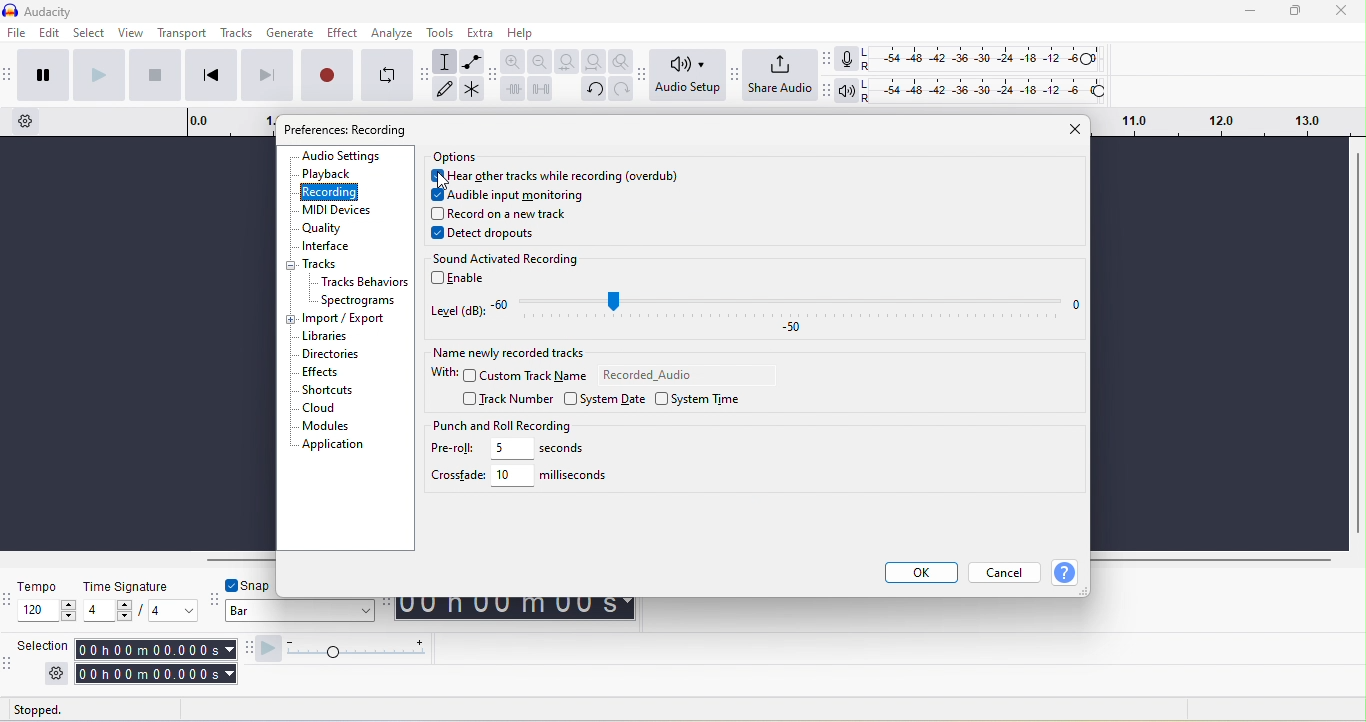  I want to click on timeline option, so click(27, 121).